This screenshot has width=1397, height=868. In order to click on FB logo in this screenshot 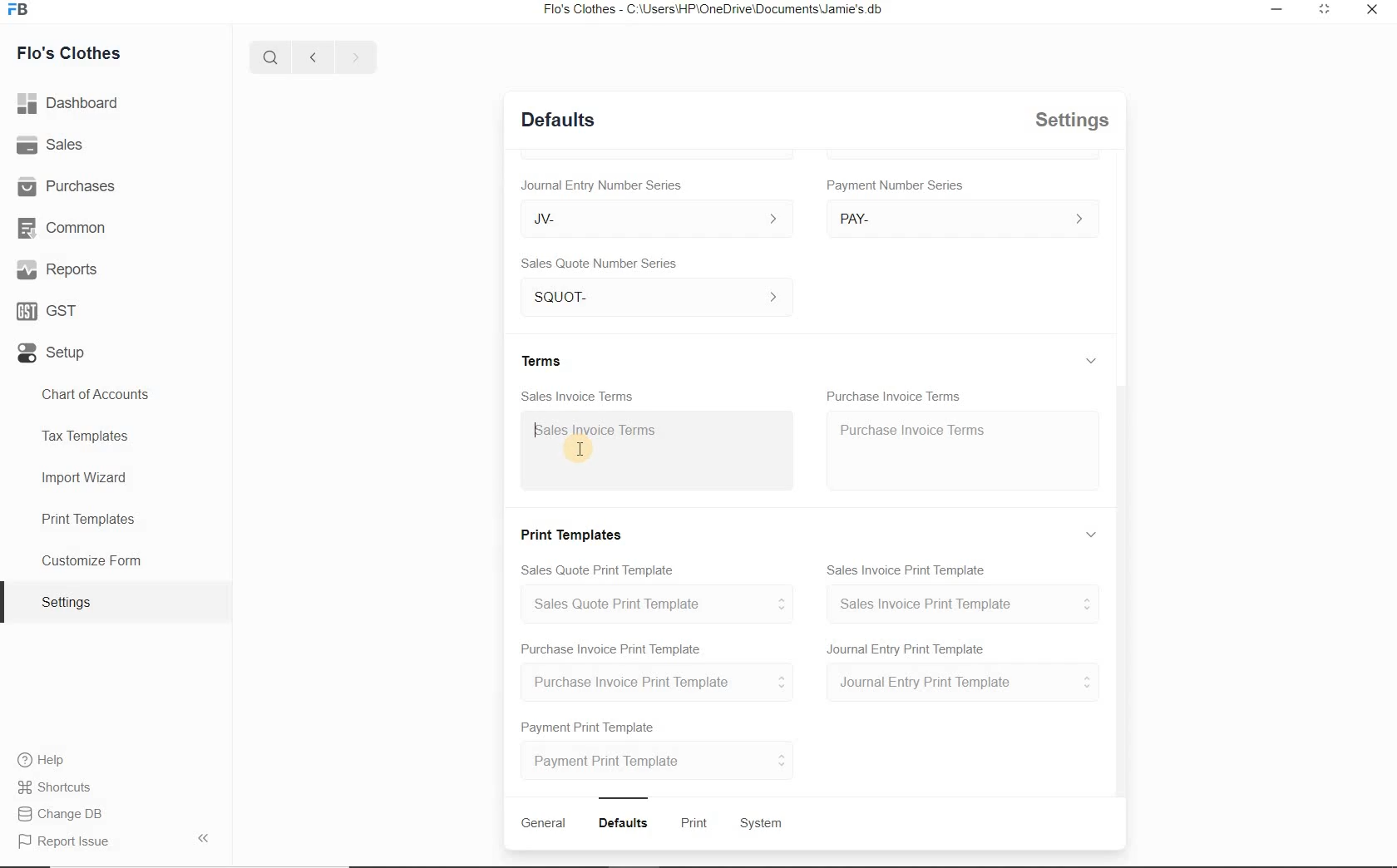, I will do `click(23, 10)`.